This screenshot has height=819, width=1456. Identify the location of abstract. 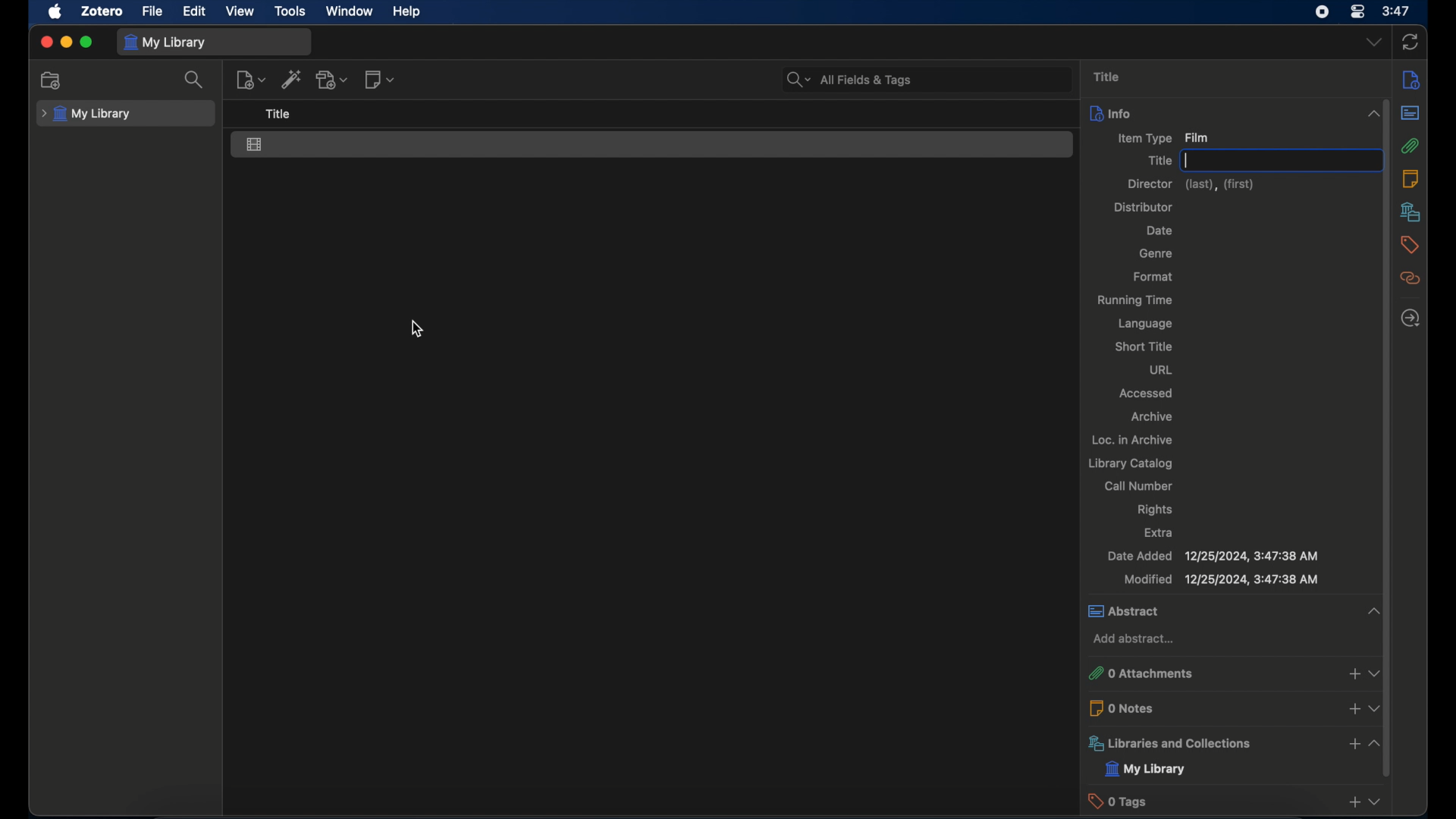
(1215, 612).